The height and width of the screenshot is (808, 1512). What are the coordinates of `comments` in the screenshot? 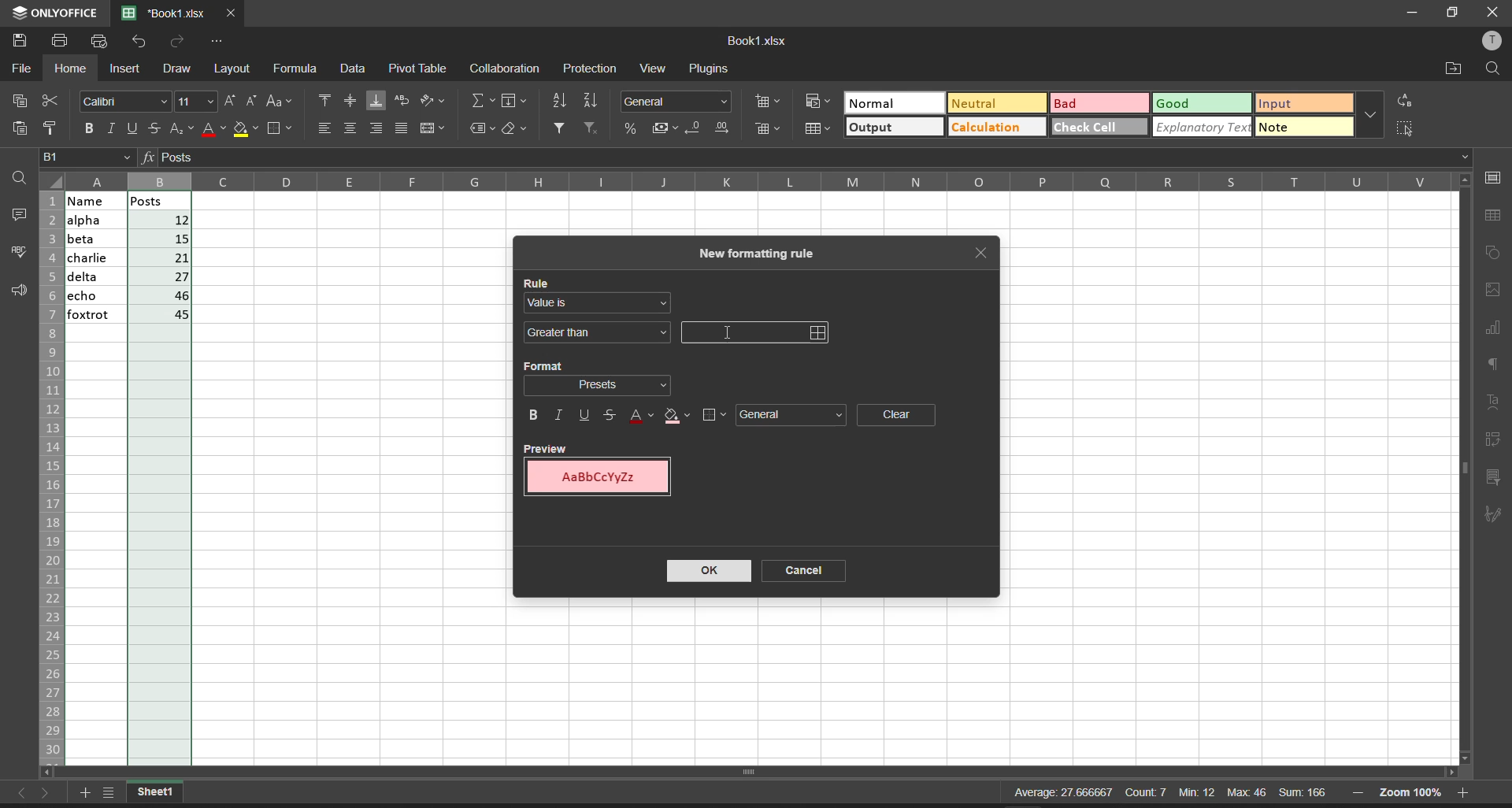 It's located at (19, 218).